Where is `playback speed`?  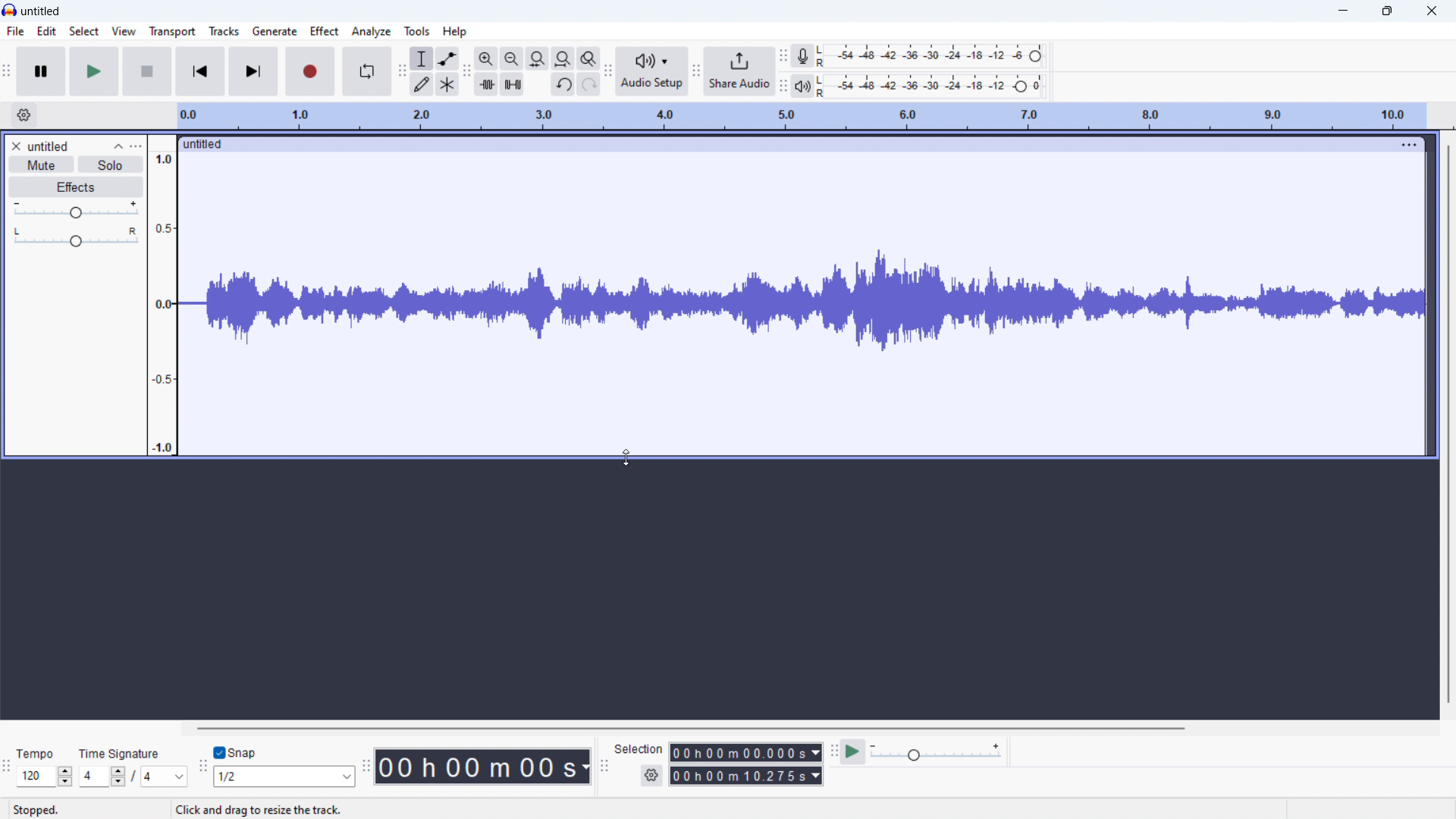 playback speed is located at coordinates (938, 752).